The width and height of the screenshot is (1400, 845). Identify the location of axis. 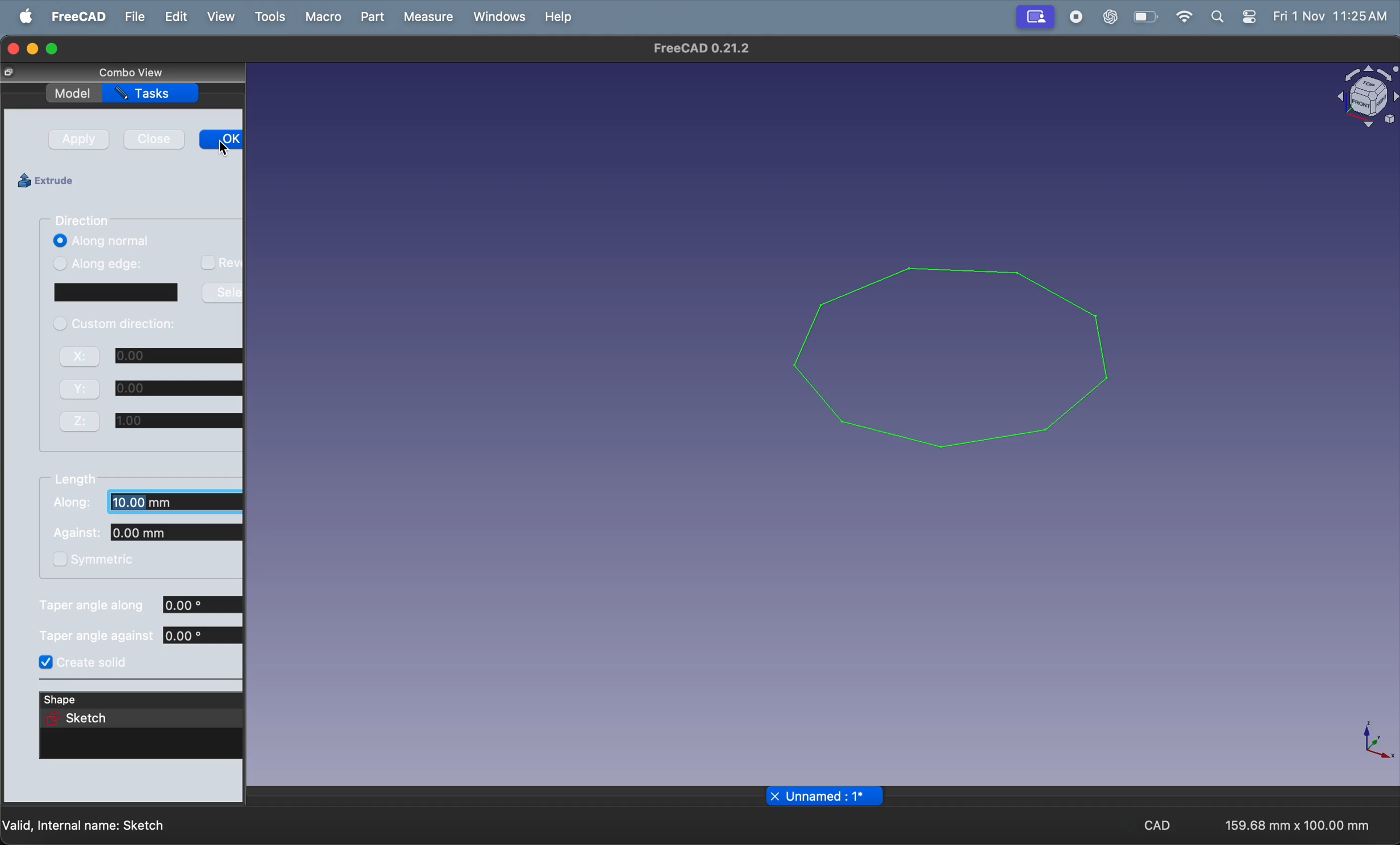
(1372, 742).